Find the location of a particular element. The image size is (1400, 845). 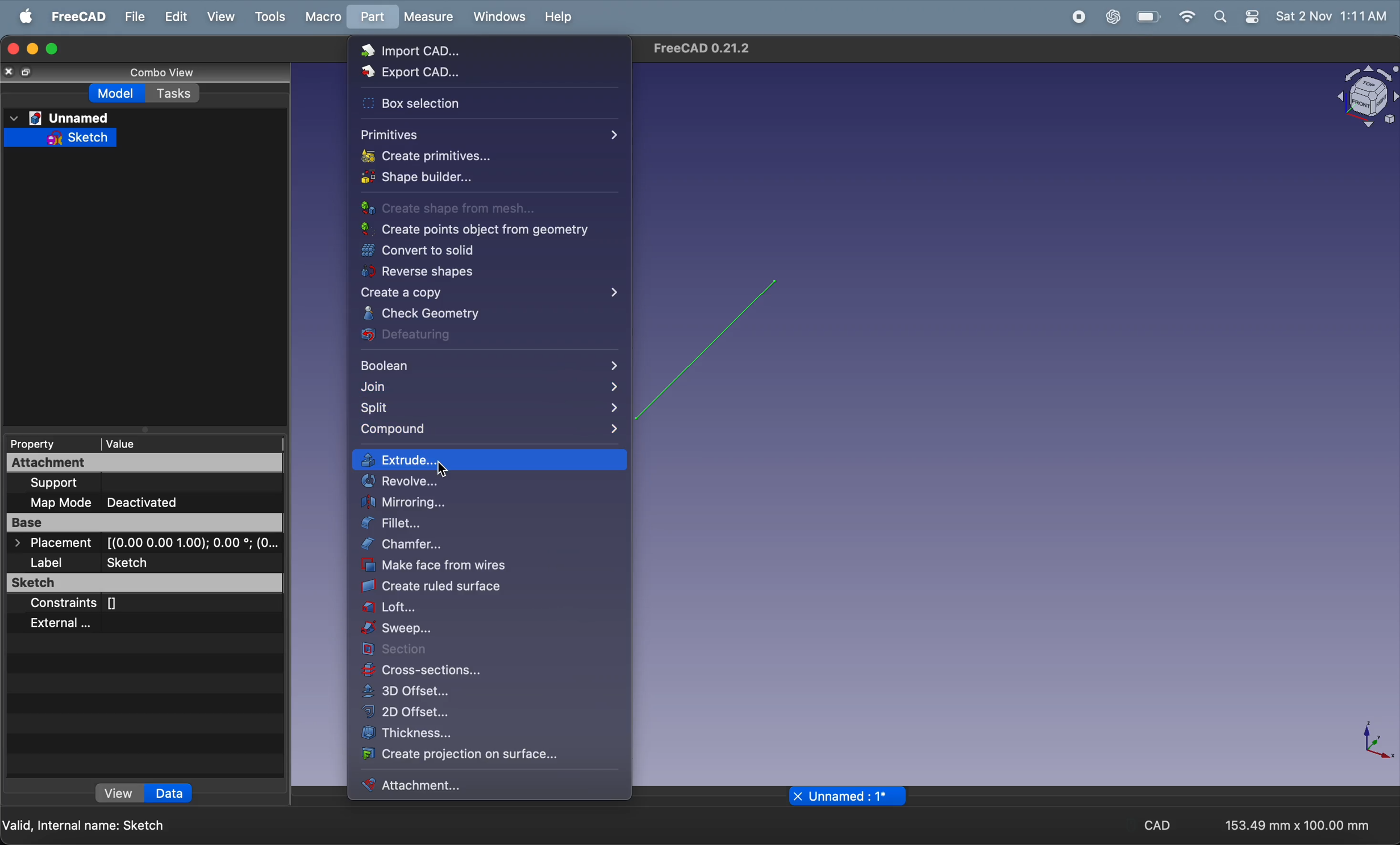

attachment... is located at coordinates (489, 785).